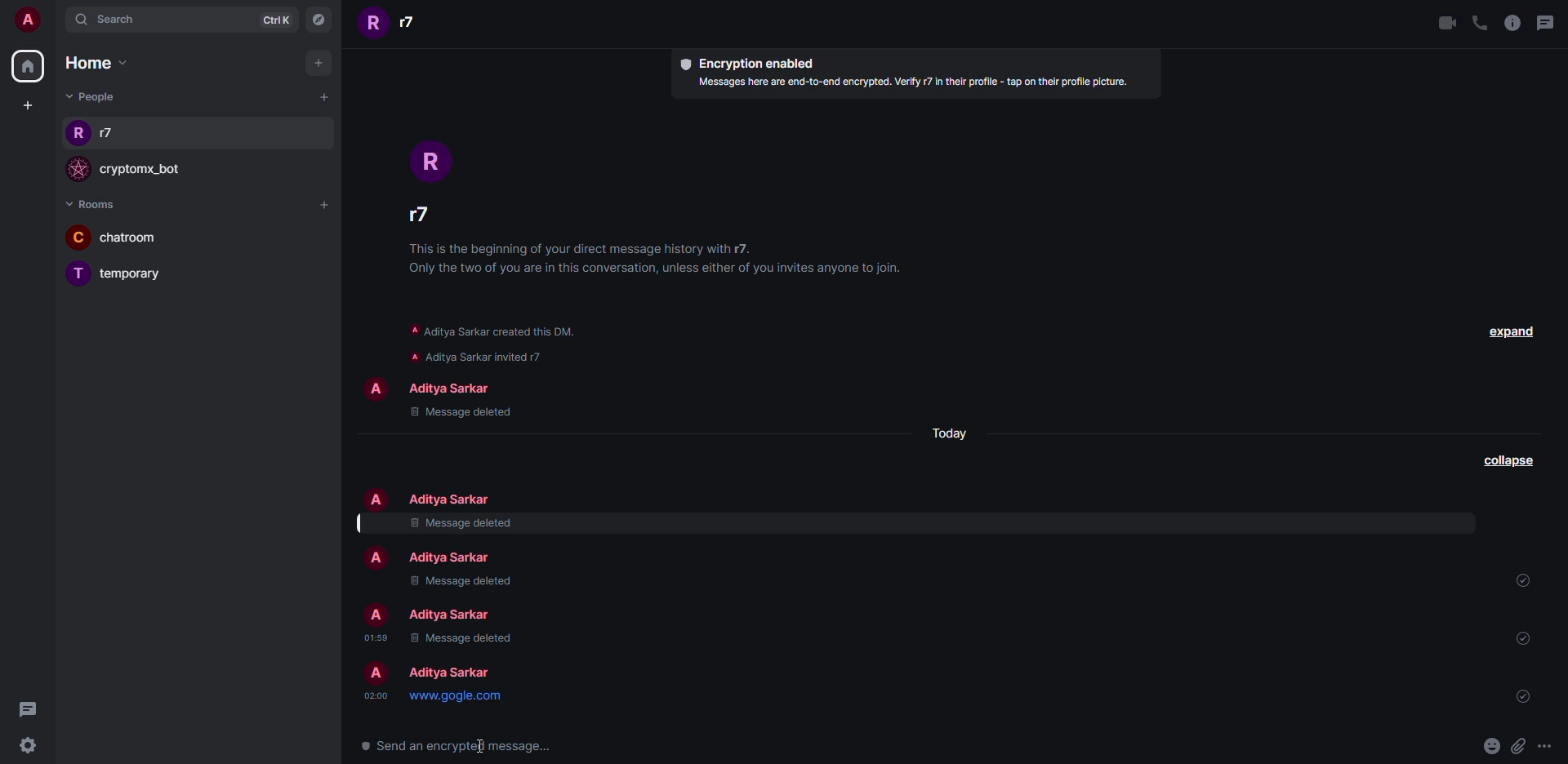  Describe the element at coordinates (450, 384) in the screenshot. I see `people` at that location.